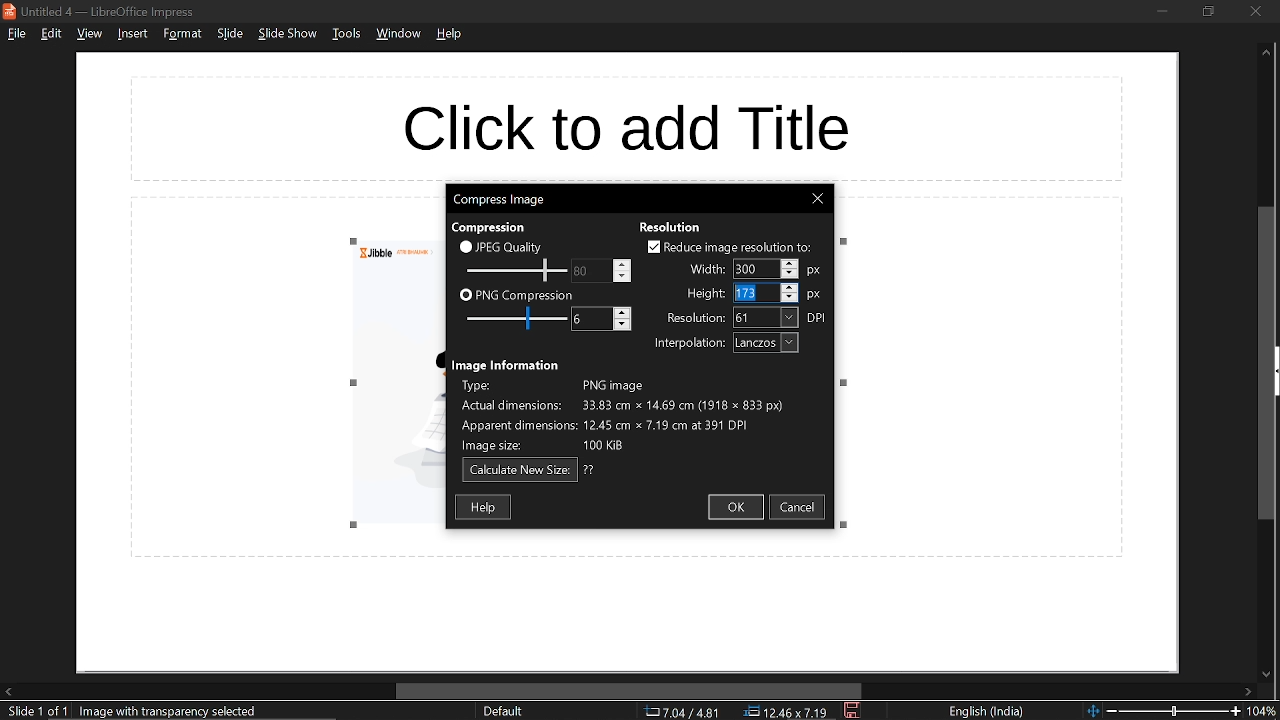 Image resolution: width=1280 pixels, height=720 pixels. Describe the element at coordinates (229, 35) in the screenshot. I see `slide` at that location.